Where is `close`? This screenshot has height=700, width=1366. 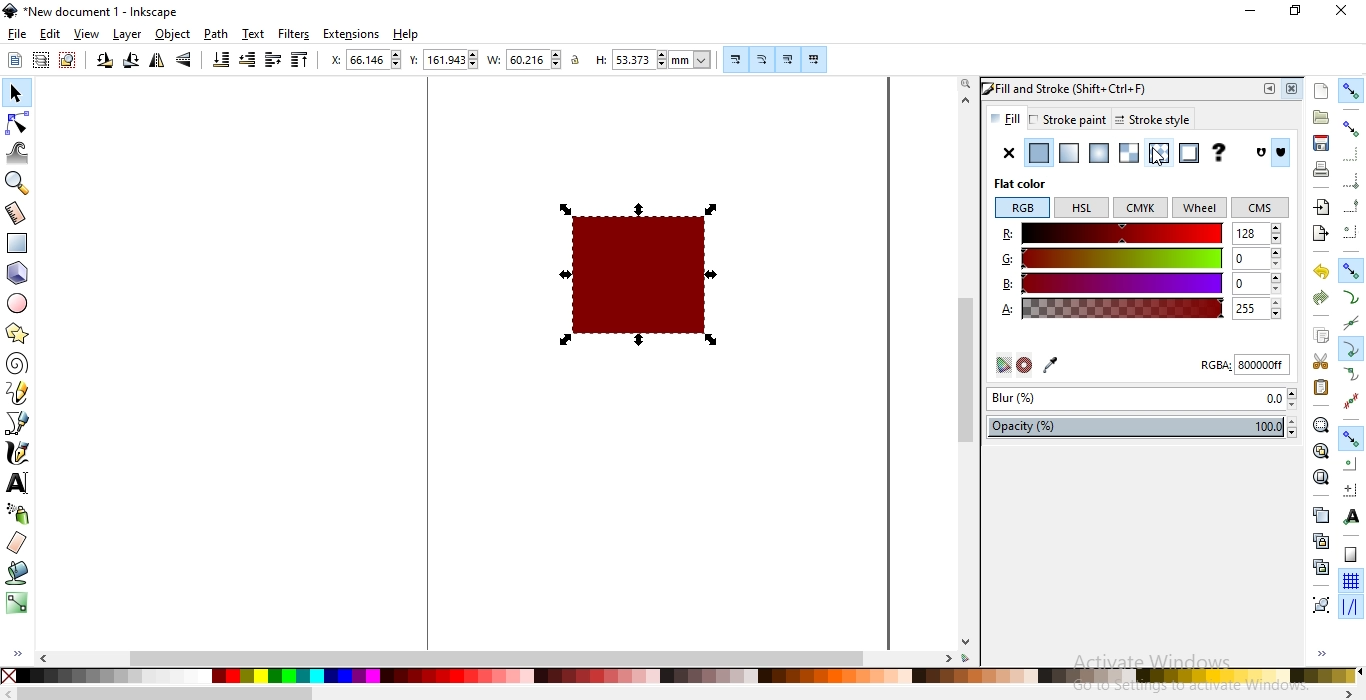
close is located at coordinates (1340, 12).